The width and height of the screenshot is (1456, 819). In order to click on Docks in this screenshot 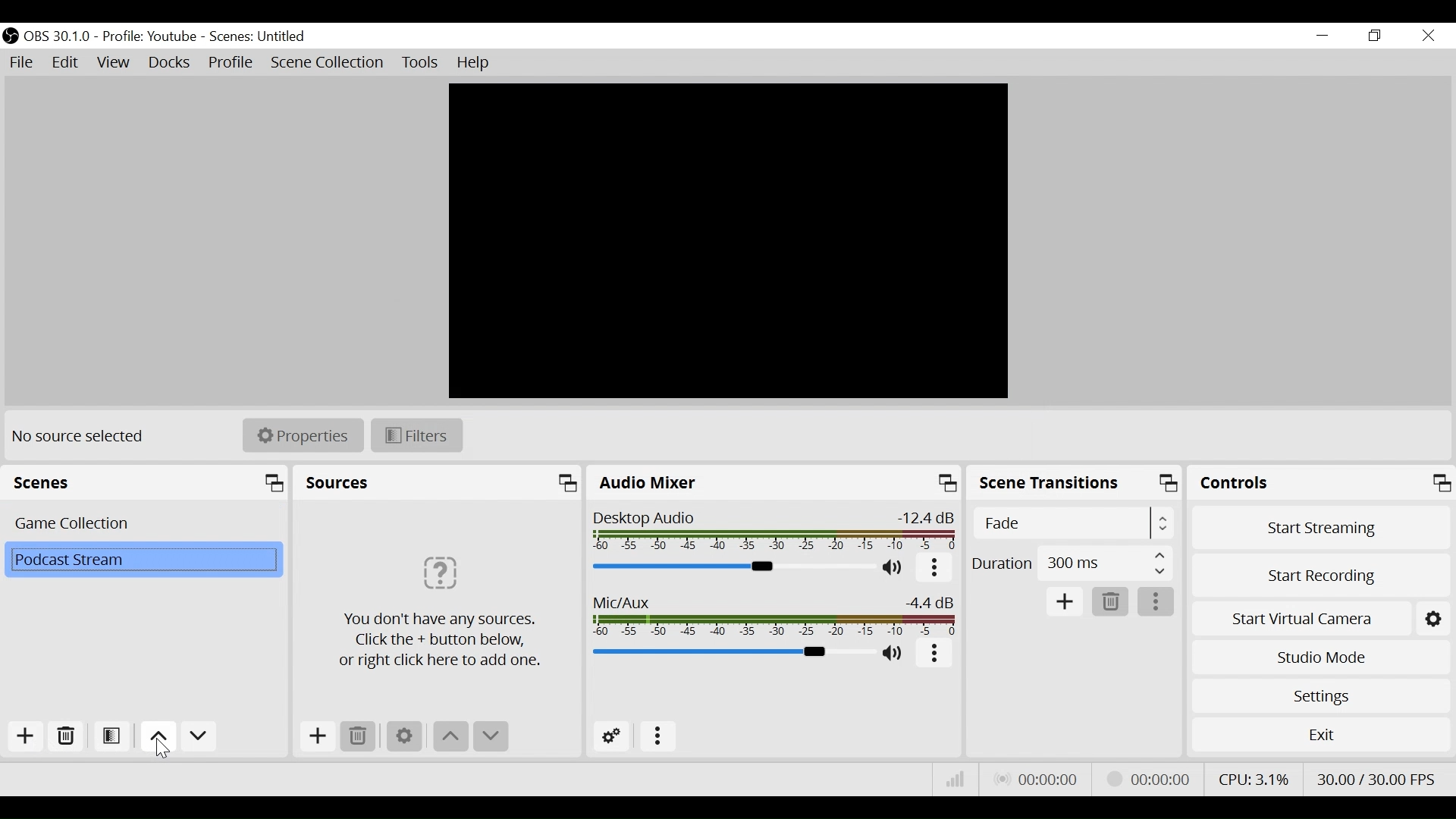, I will do `click(169, 64)`.